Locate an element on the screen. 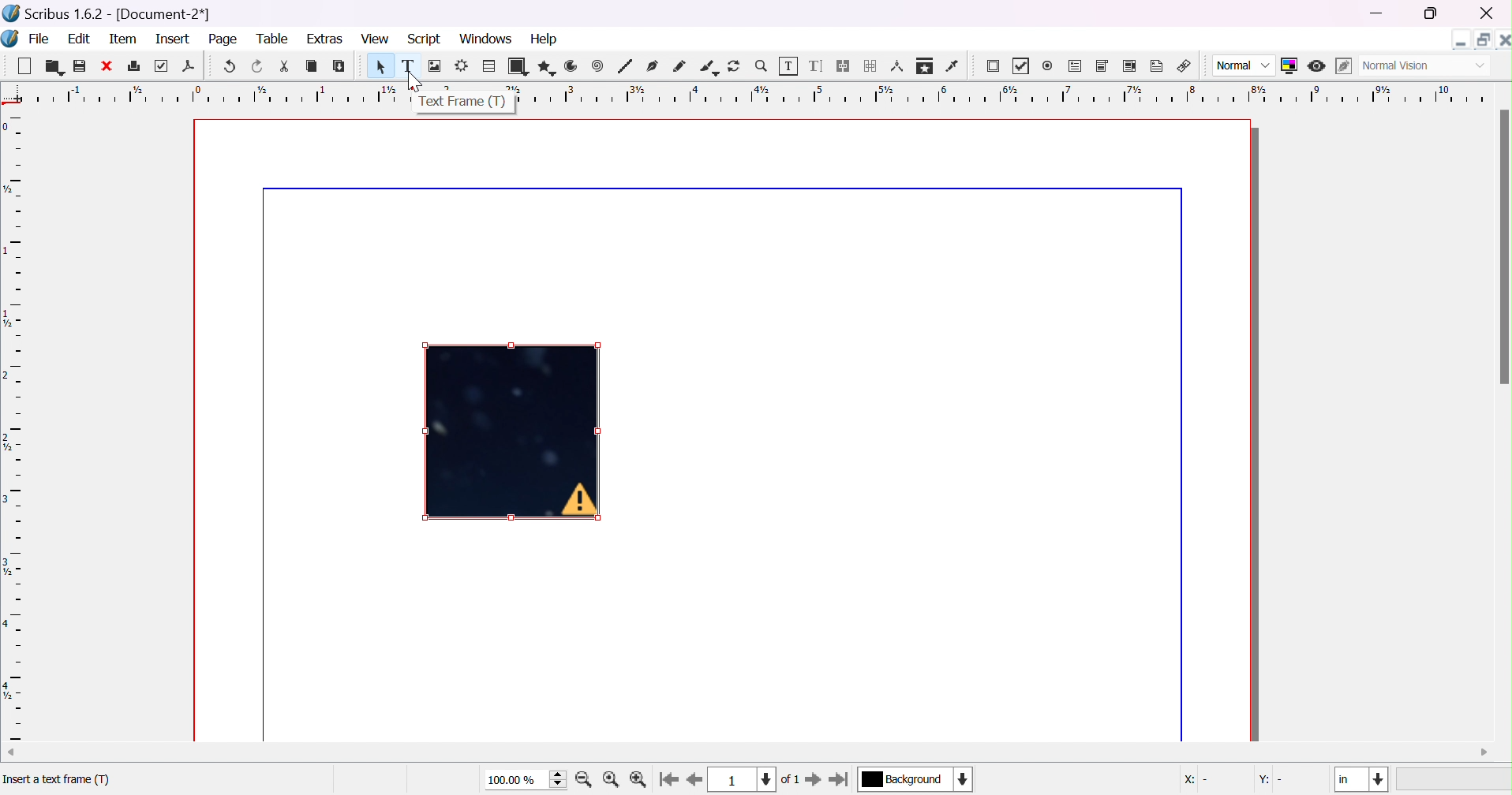 The width and height of the screenshot is (1512, 795). print is located at coordinates (133, 65).